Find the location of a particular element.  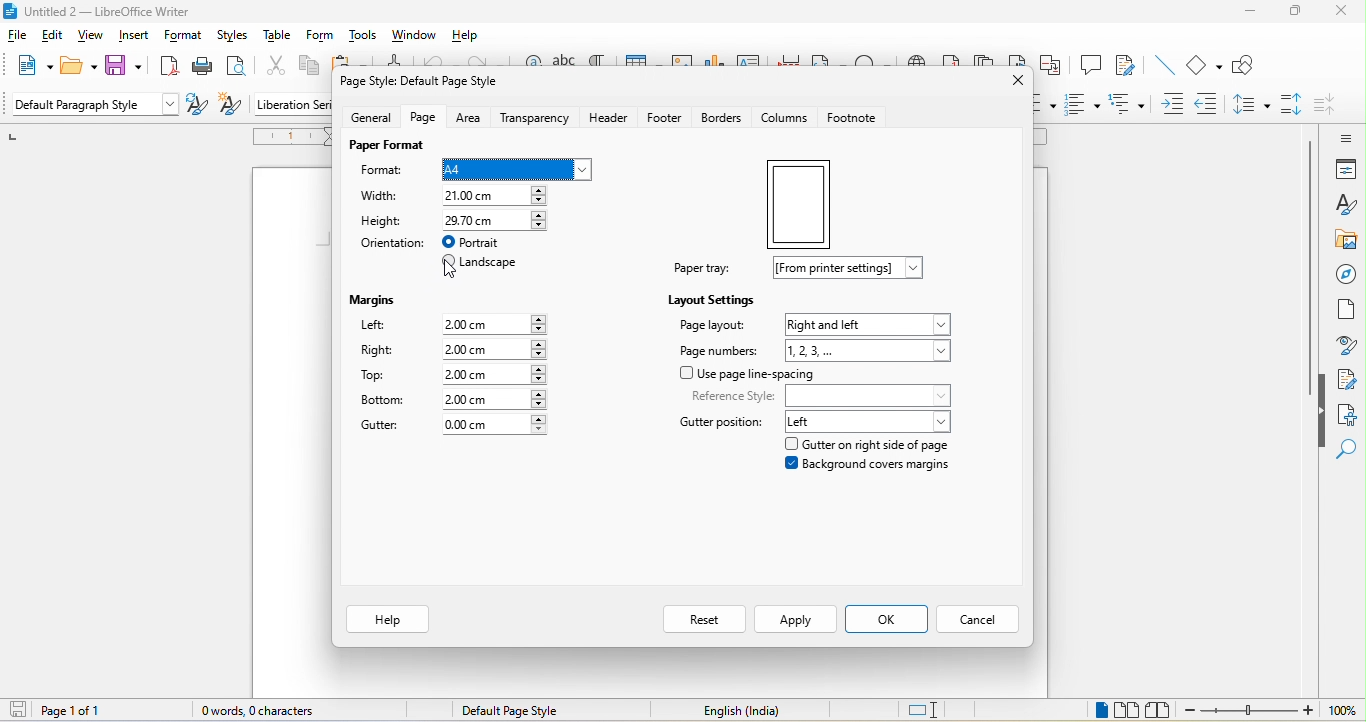

manage changes is located at coordinates (1348, 380).